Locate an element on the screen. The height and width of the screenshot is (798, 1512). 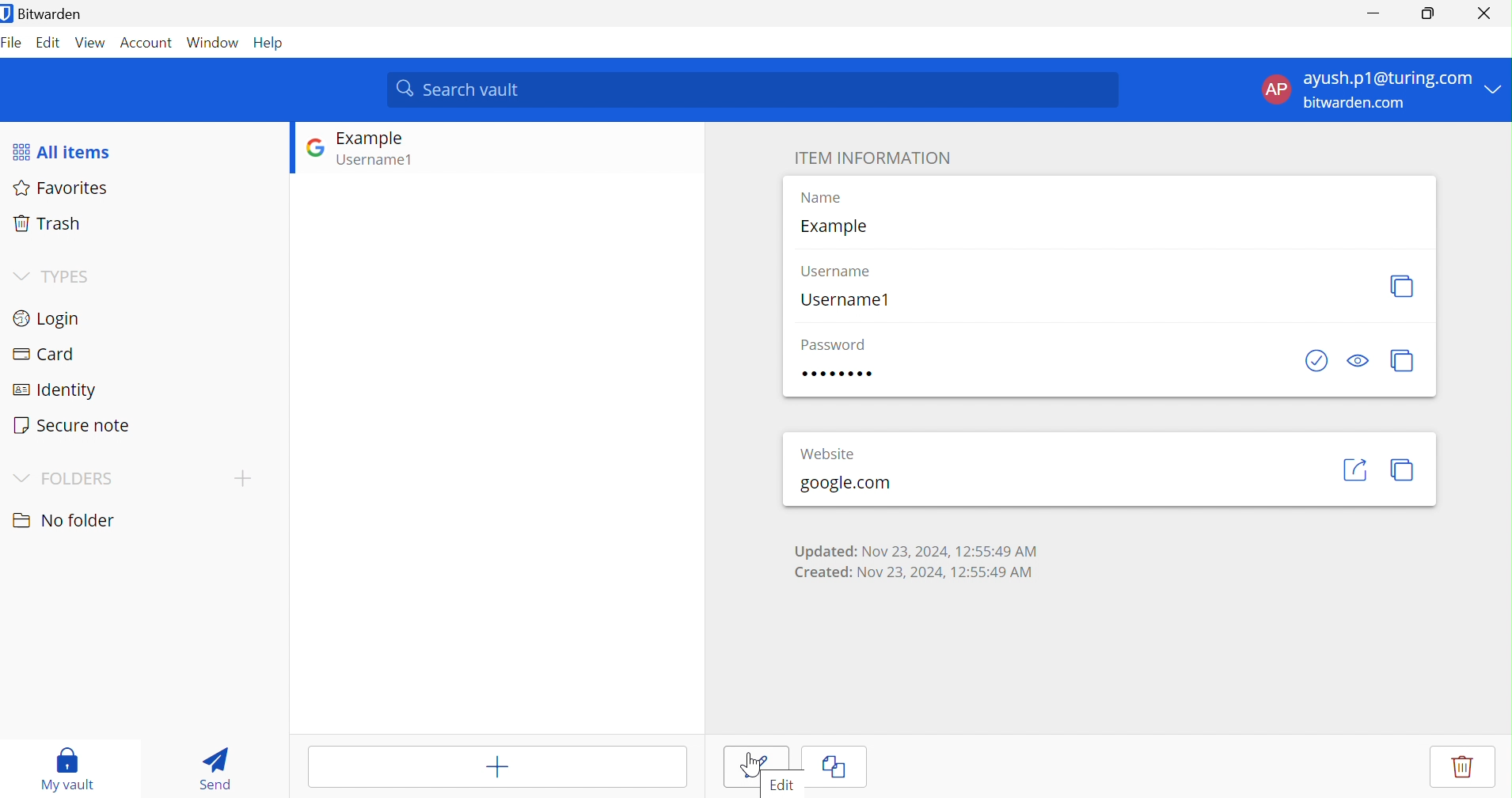
google.com is located at coordinates (844, 484).